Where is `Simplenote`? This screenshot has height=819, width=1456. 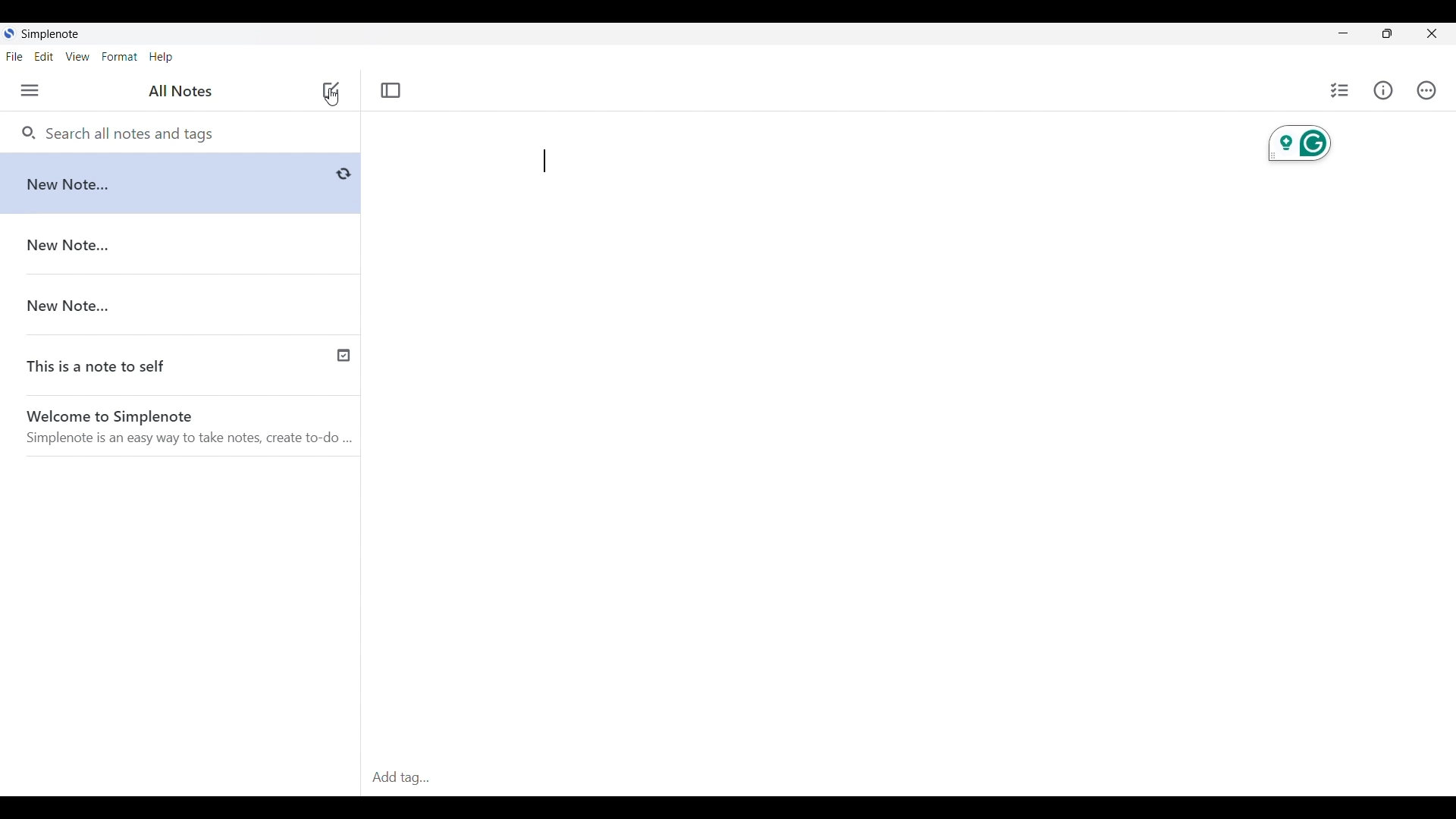
Simplenote is located at coordinates (69, 33).